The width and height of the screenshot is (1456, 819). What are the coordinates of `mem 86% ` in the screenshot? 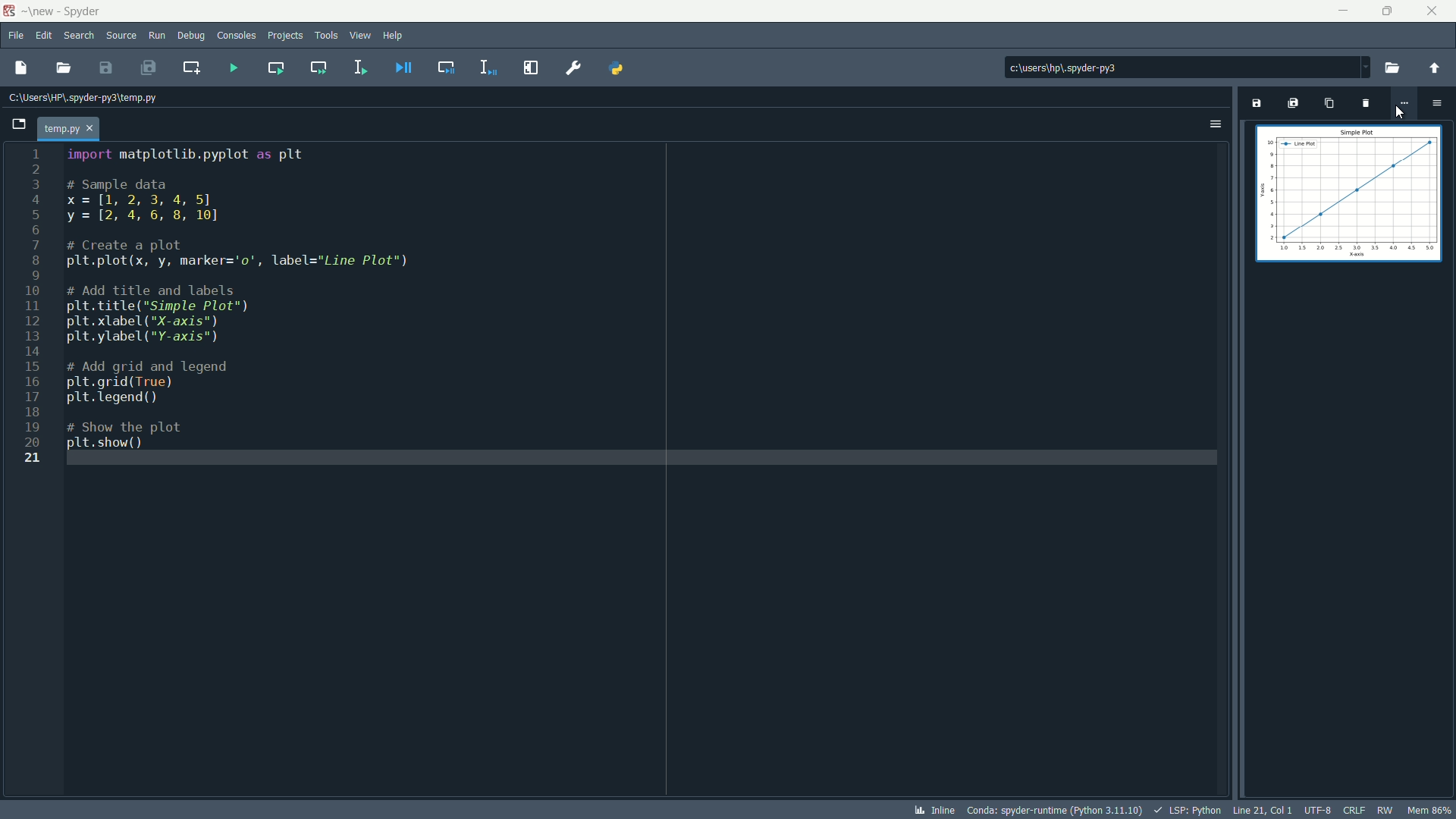 It's located at (1429, 809).